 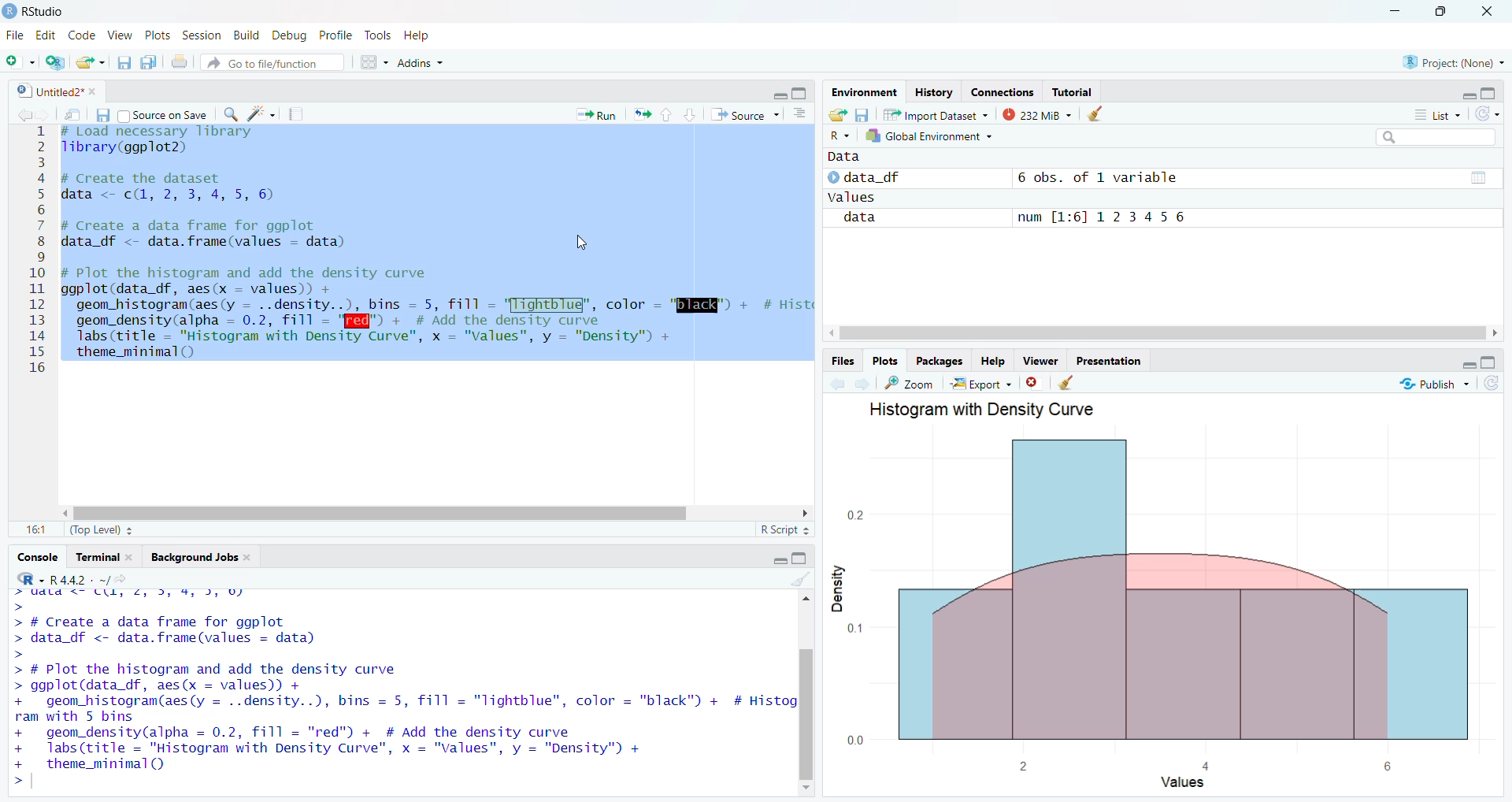 I want to click on move up, so click(x=805, y=600).